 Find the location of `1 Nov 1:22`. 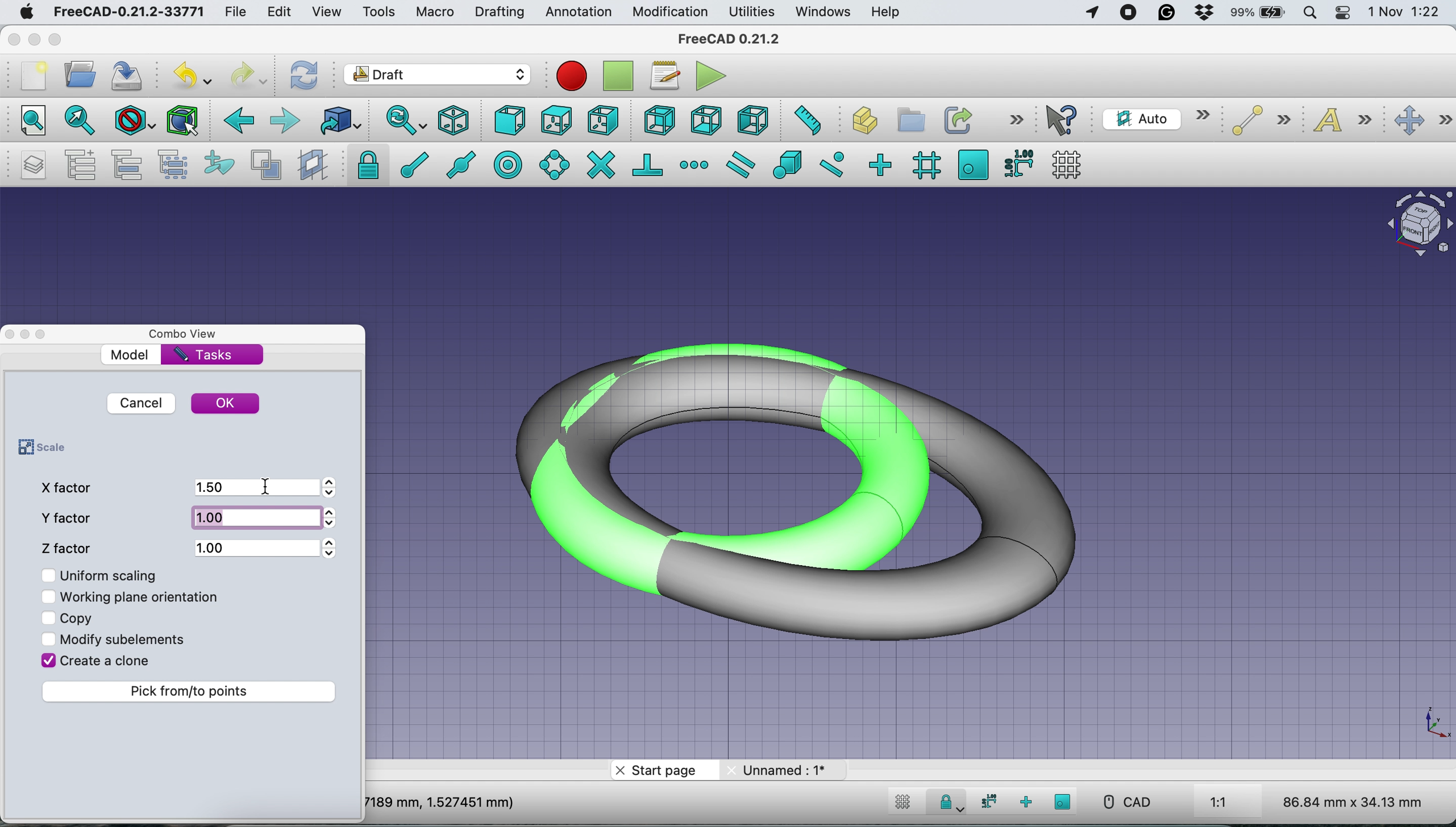

1 Nov 1:22 is located at coordinates (1403, 12).